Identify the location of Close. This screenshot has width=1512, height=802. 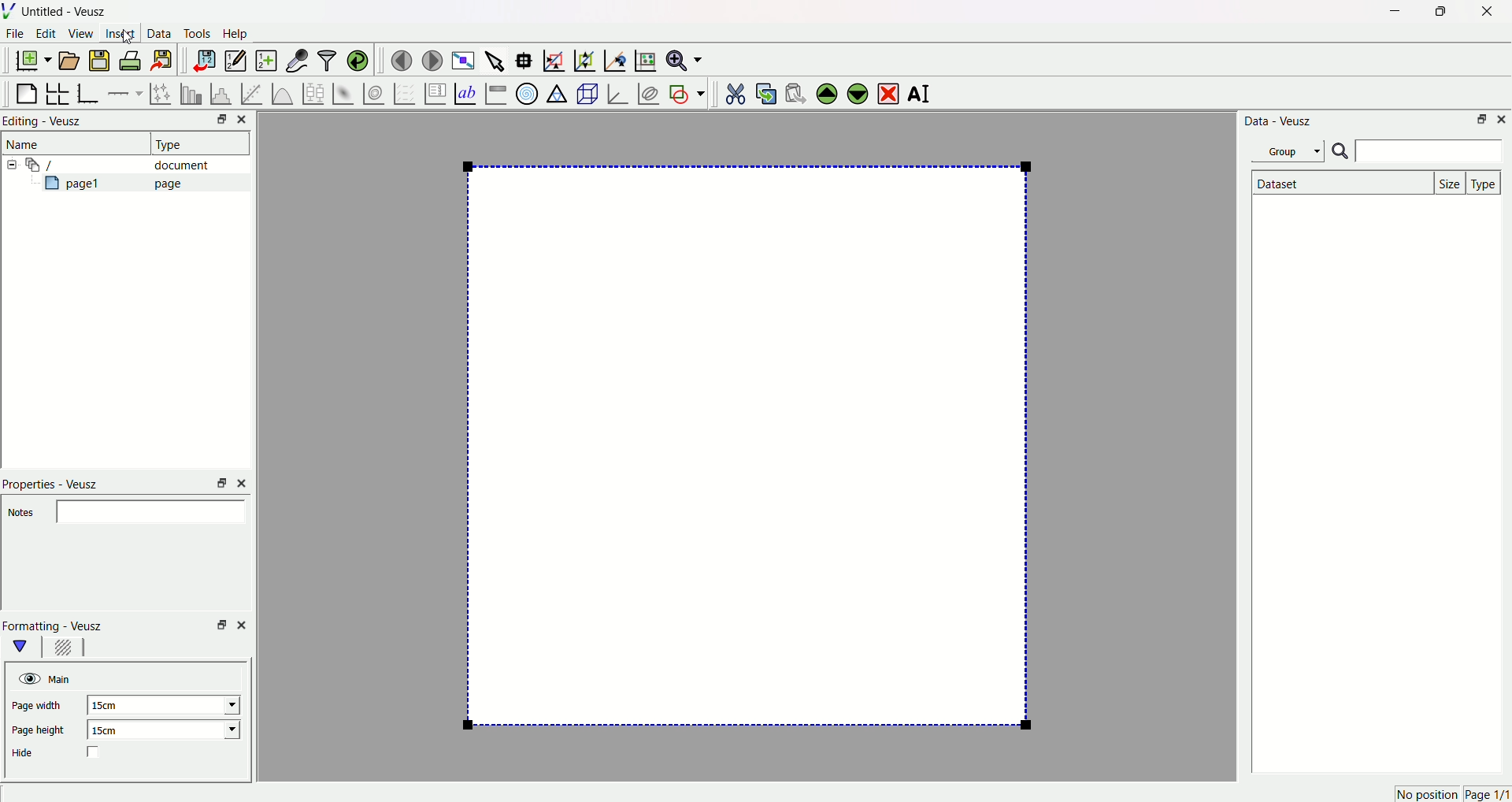
(1503, 120).